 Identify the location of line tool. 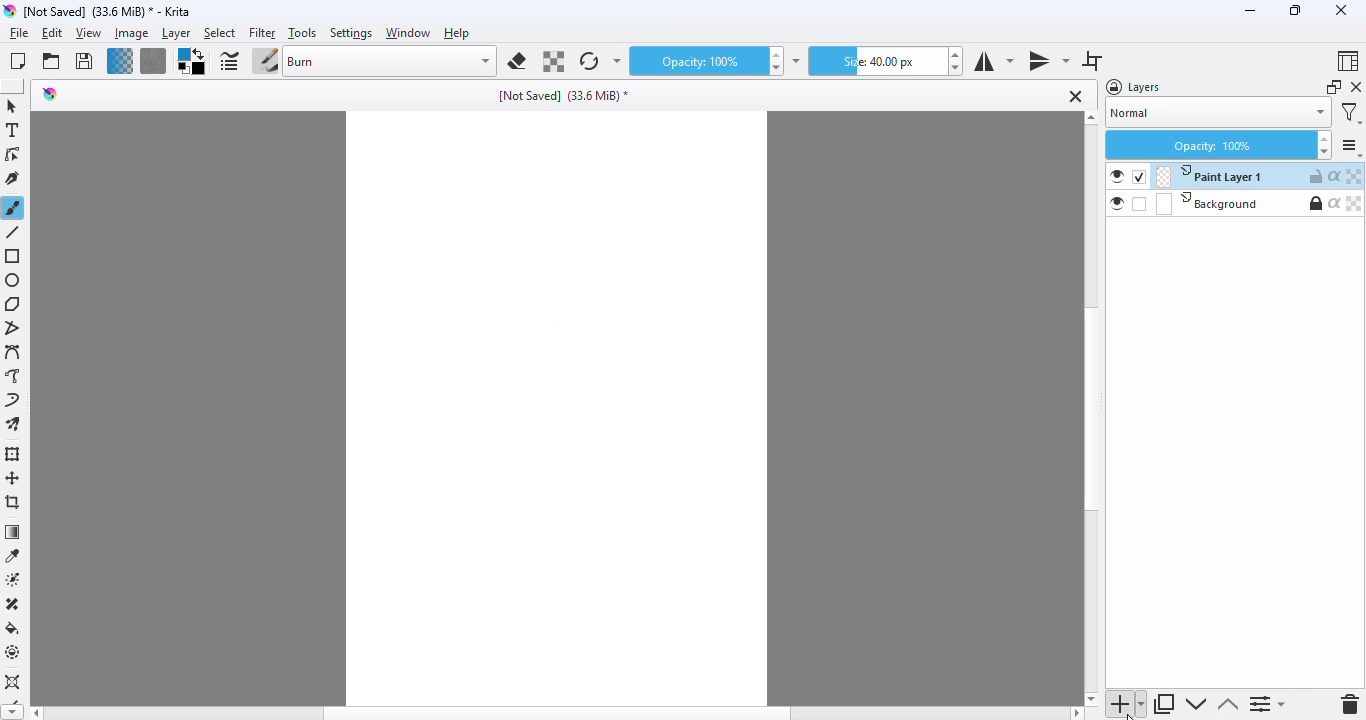
(15, 232).